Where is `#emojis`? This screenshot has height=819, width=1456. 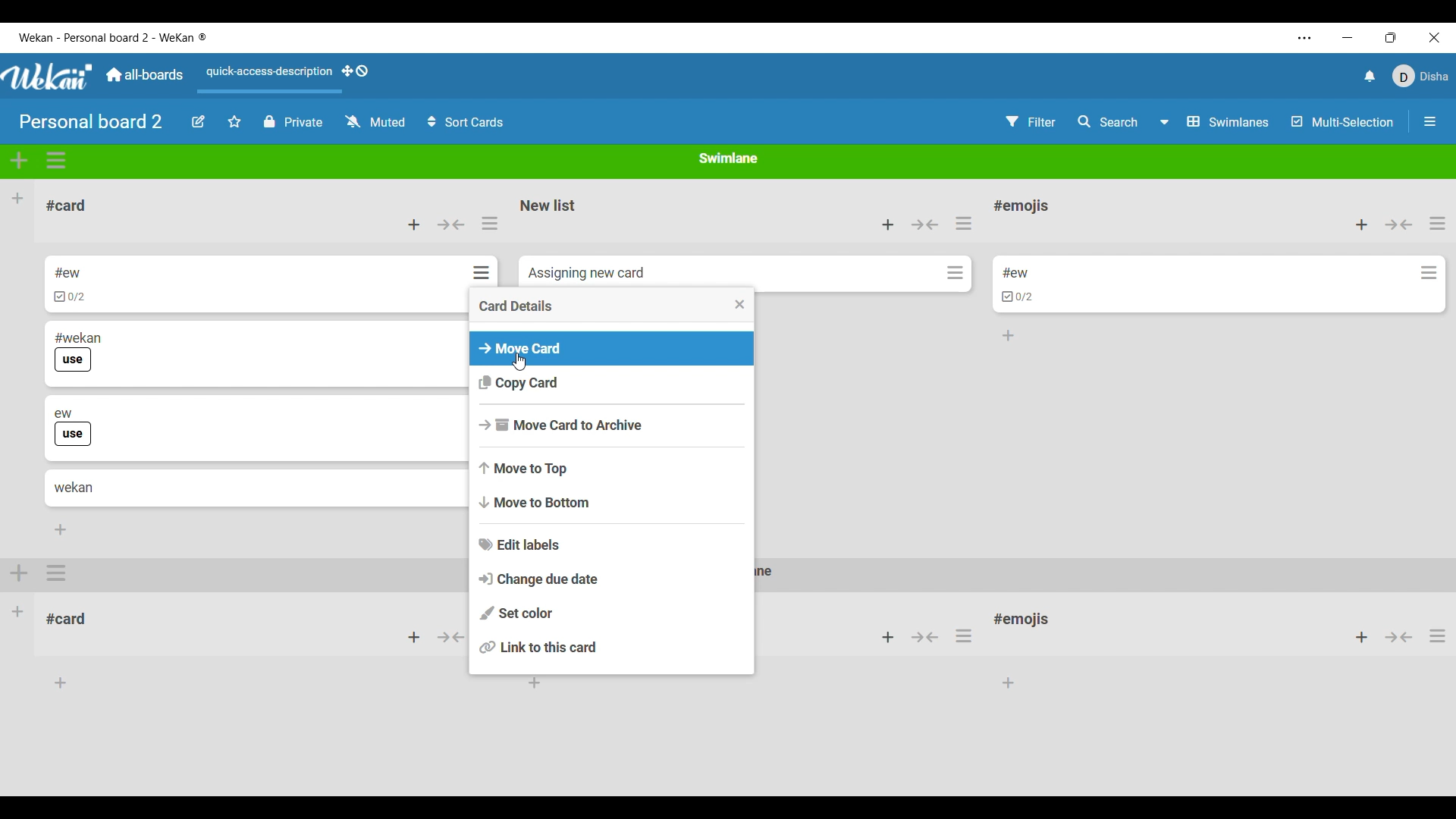 #emojis is located at coordinates (1027, 623).